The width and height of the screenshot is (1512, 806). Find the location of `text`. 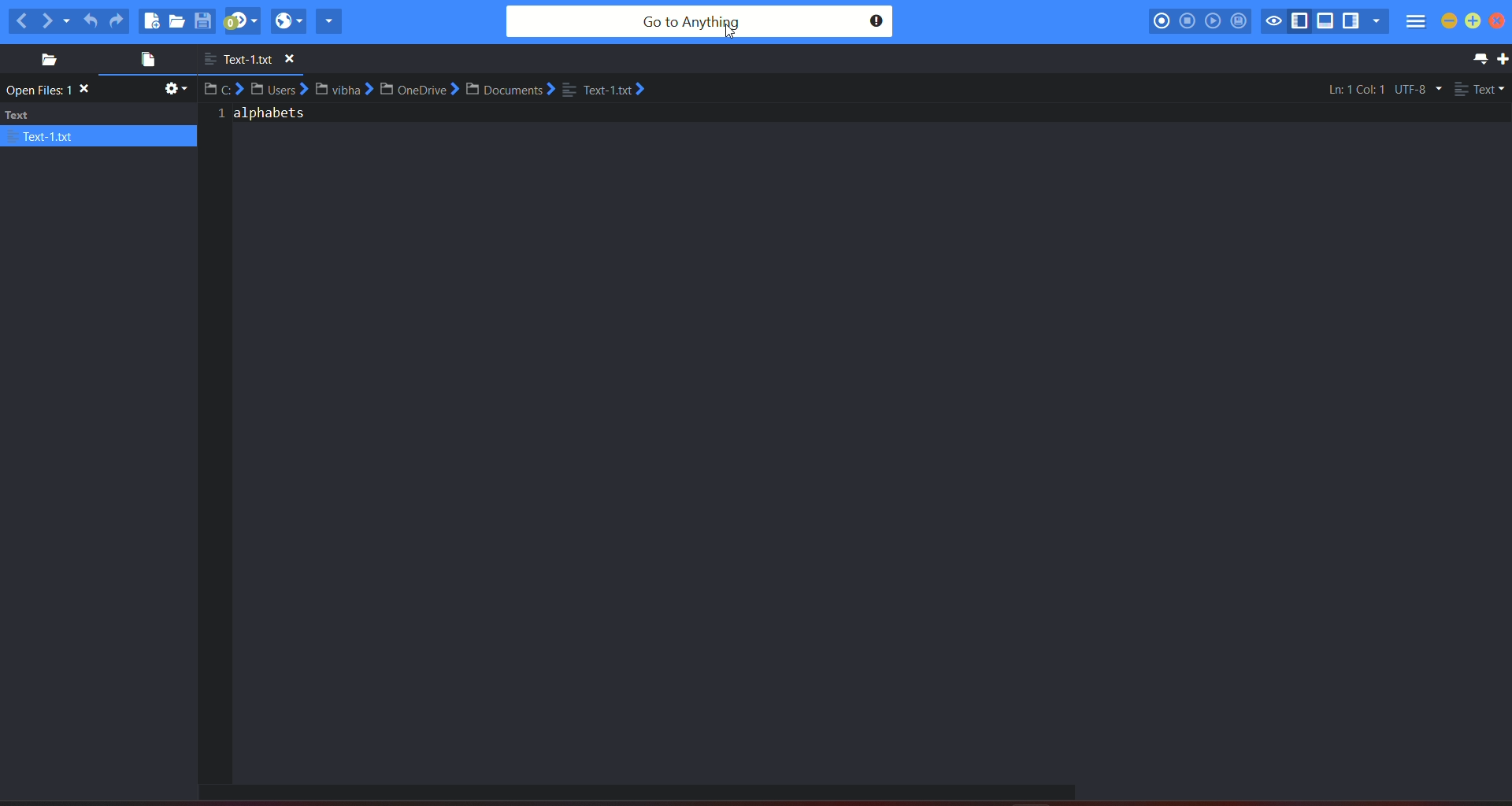

text is located at coordinates (99, 125).